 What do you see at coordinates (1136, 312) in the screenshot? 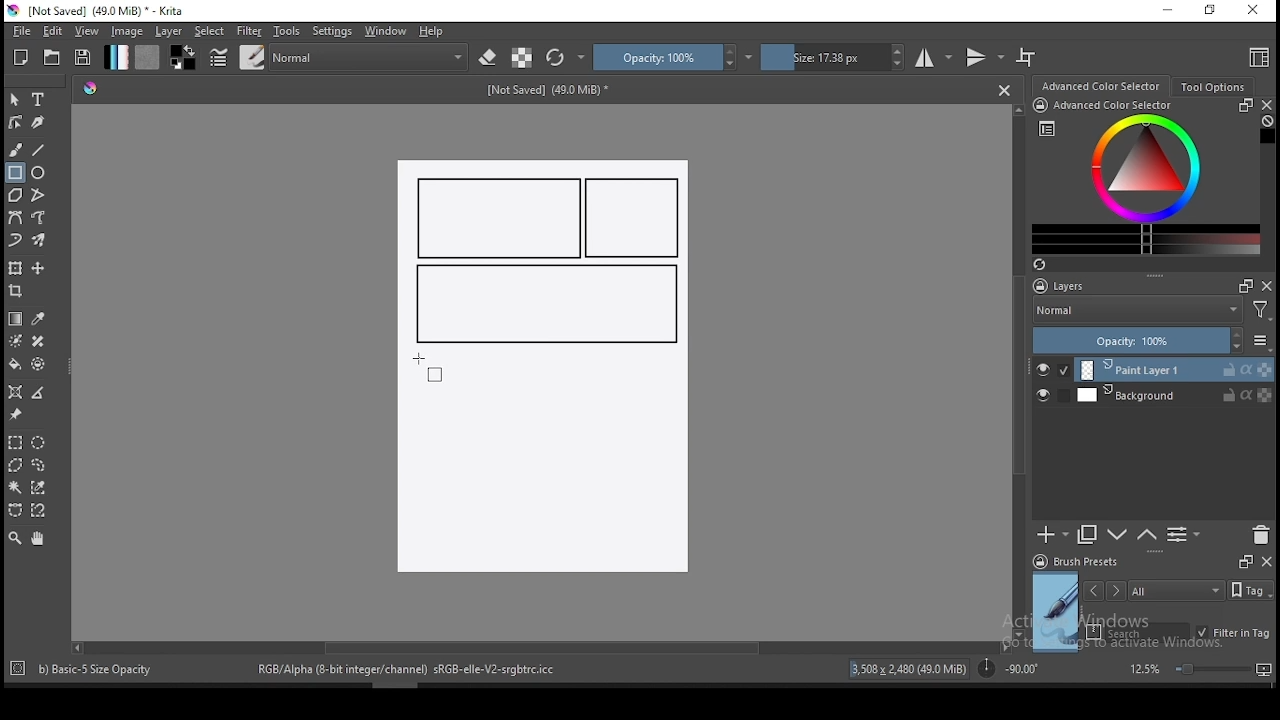
I see `blending mode` at bounding box center [1136, 312].